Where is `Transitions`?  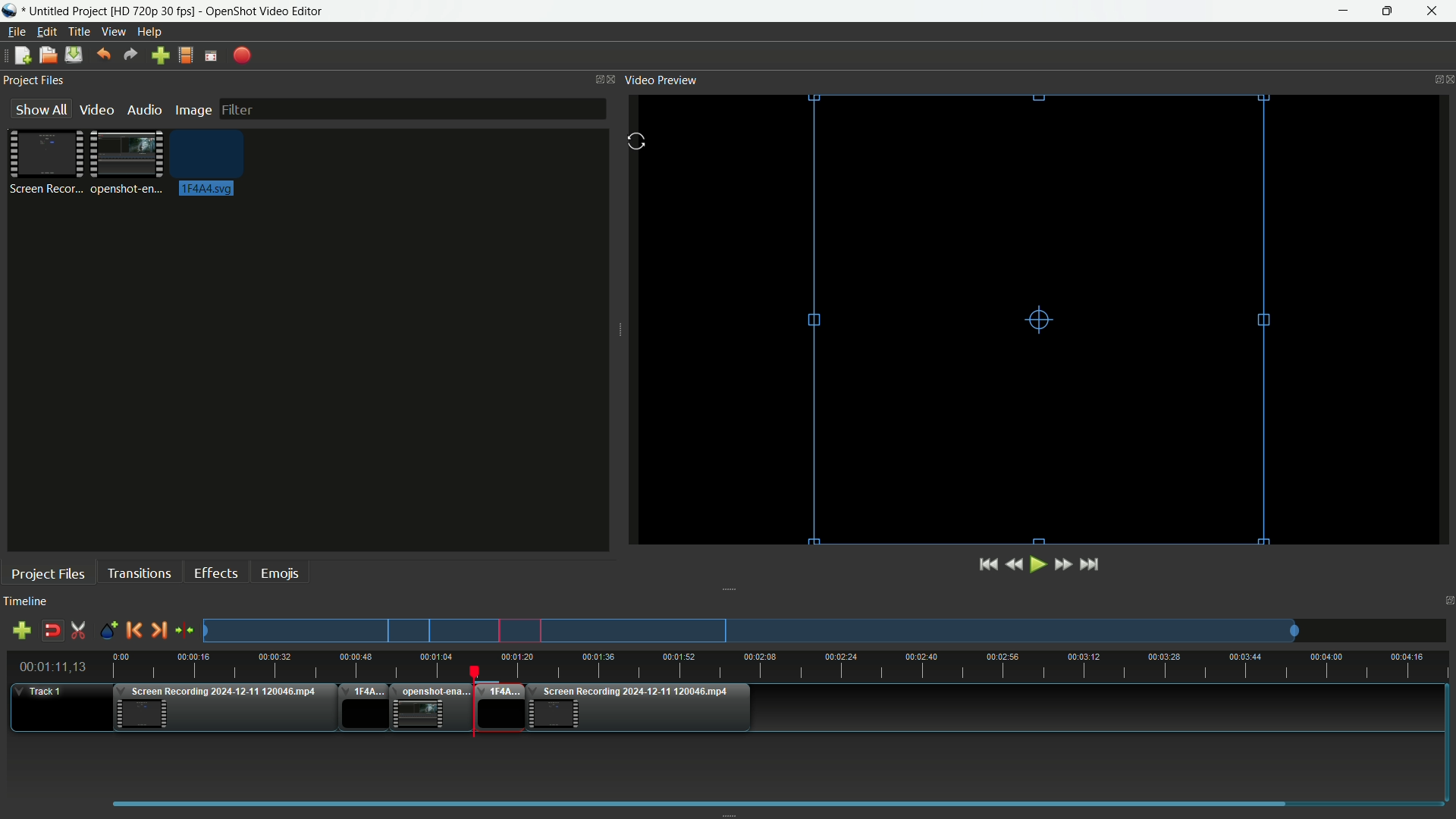 Transitions is located at coordinates (139, 573).